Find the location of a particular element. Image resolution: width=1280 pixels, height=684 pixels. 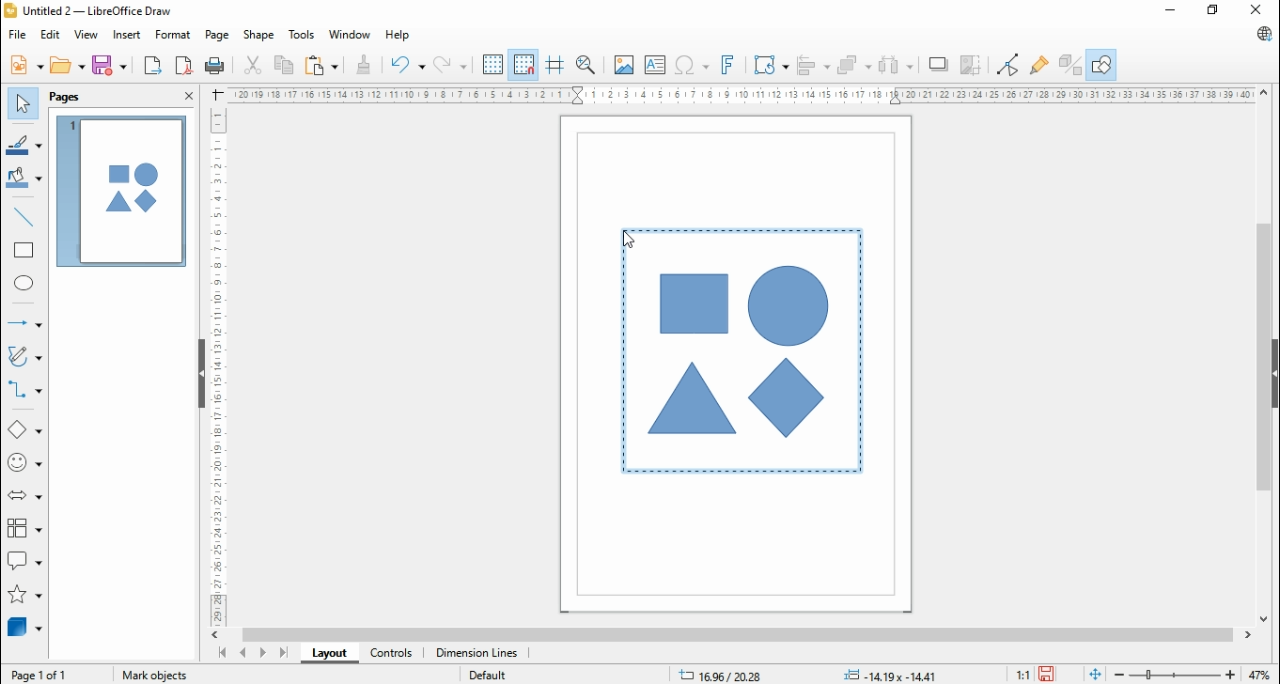

line color is located at coordinates (24, 143).